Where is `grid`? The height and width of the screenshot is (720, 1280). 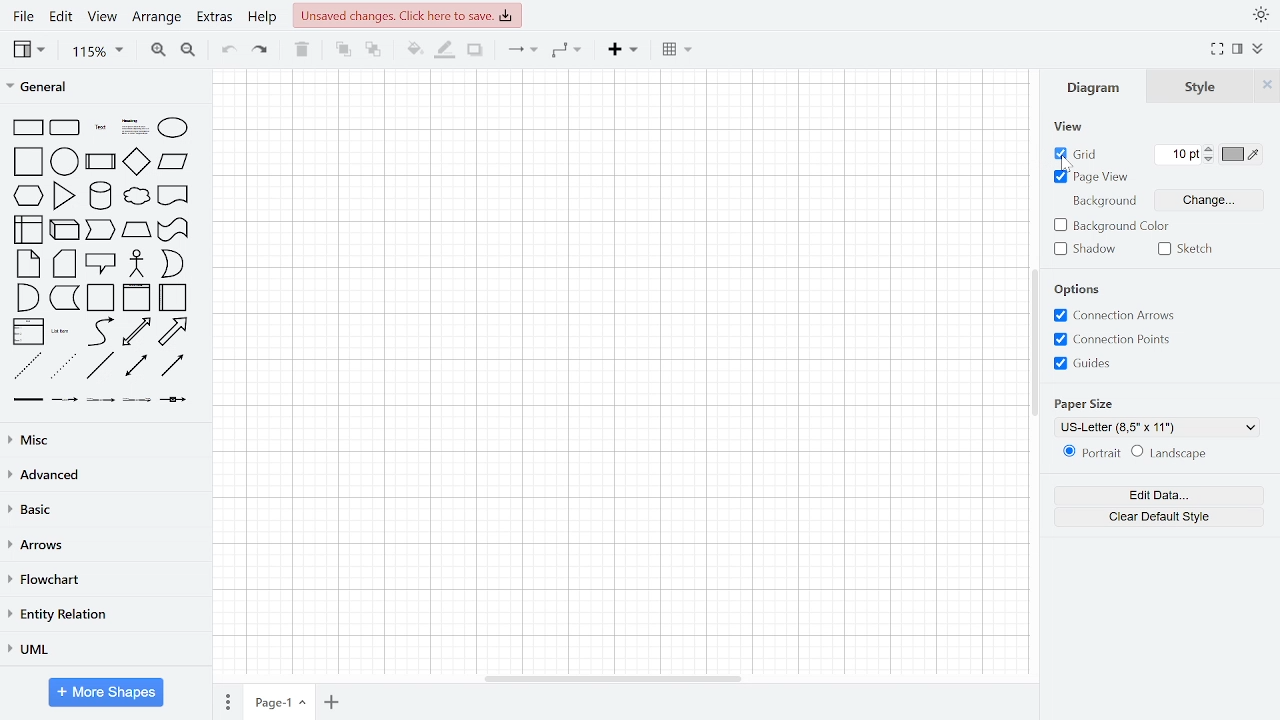 grid is located at coordinates (1072, 155).